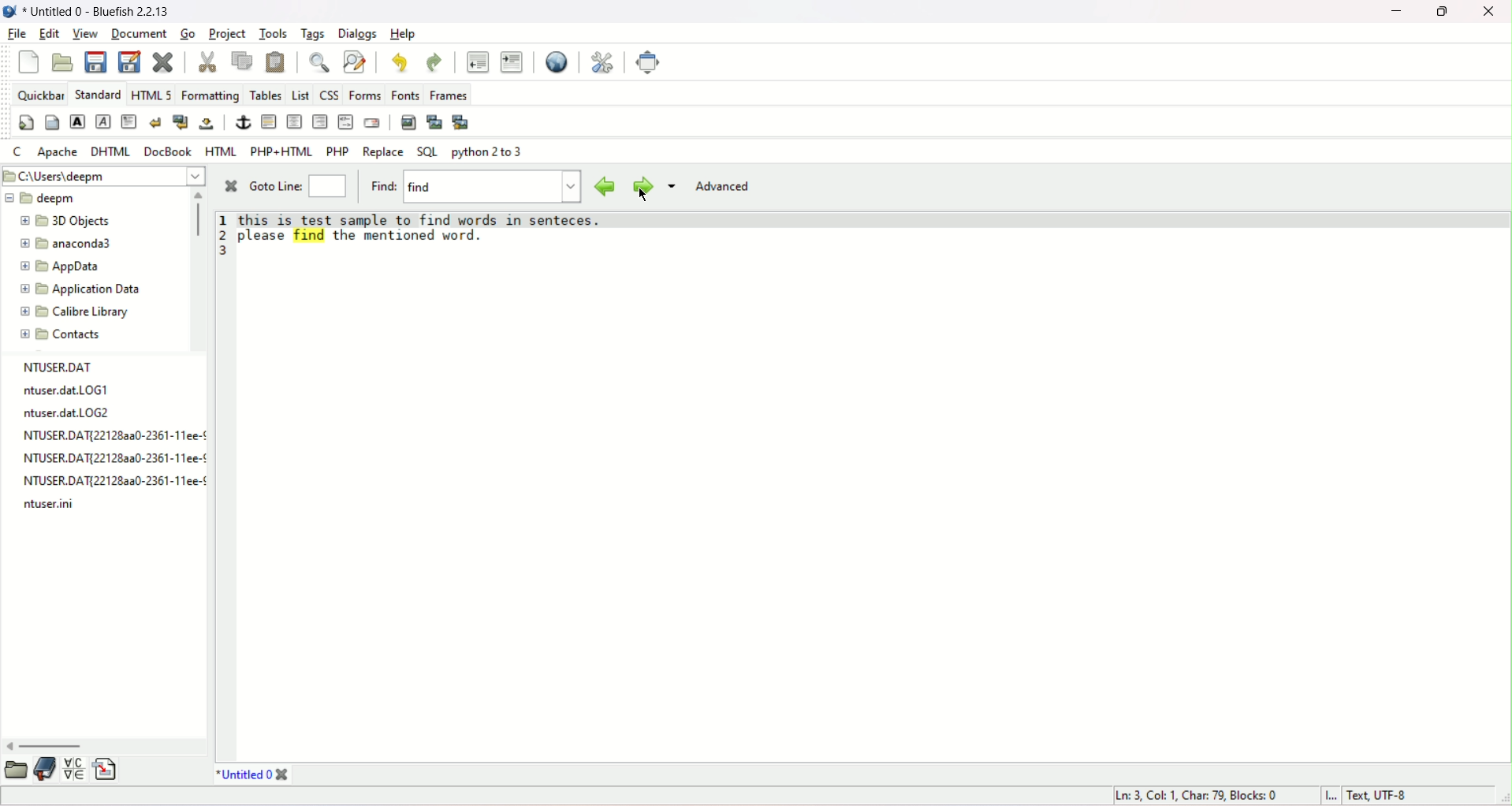  Describe the element at coordinates (434, 122) in the screenshot. I see `insert thumbnail` at that location.